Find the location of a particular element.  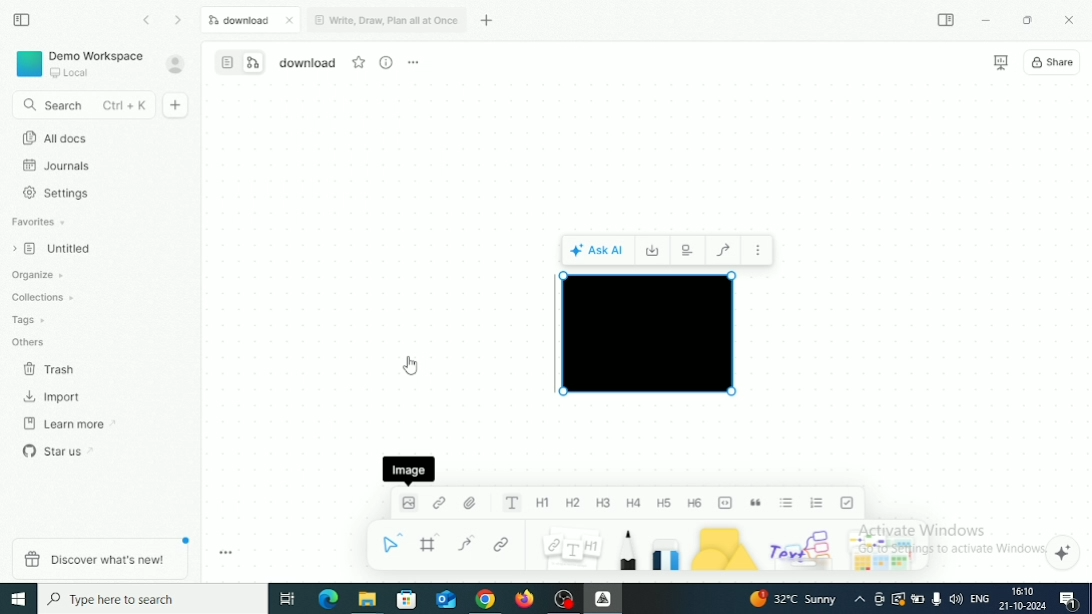

Favourite is located at coordinates (360, 62).